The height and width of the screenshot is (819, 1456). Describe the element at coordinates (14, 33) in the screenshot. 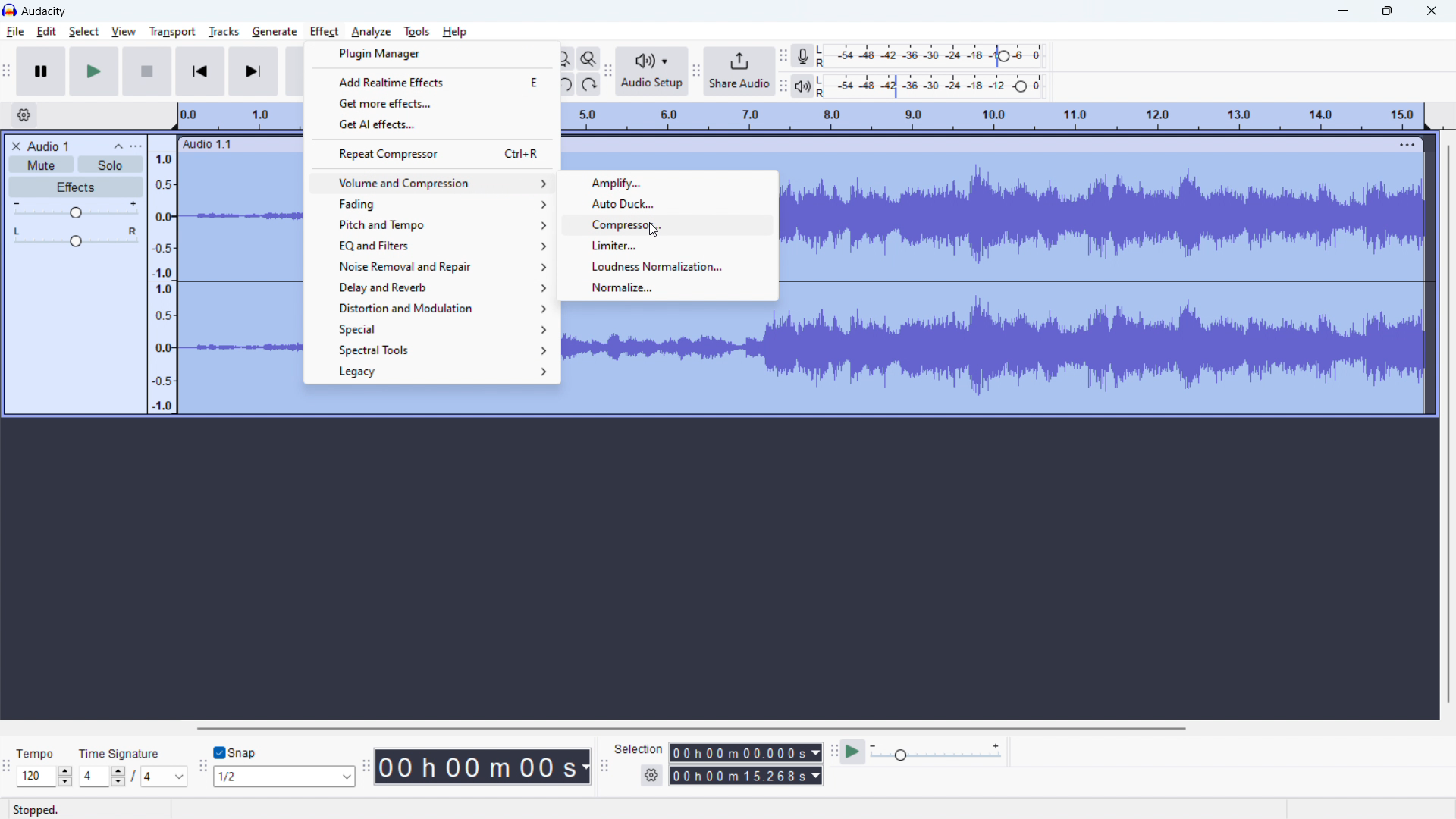

I see `file` at that location.